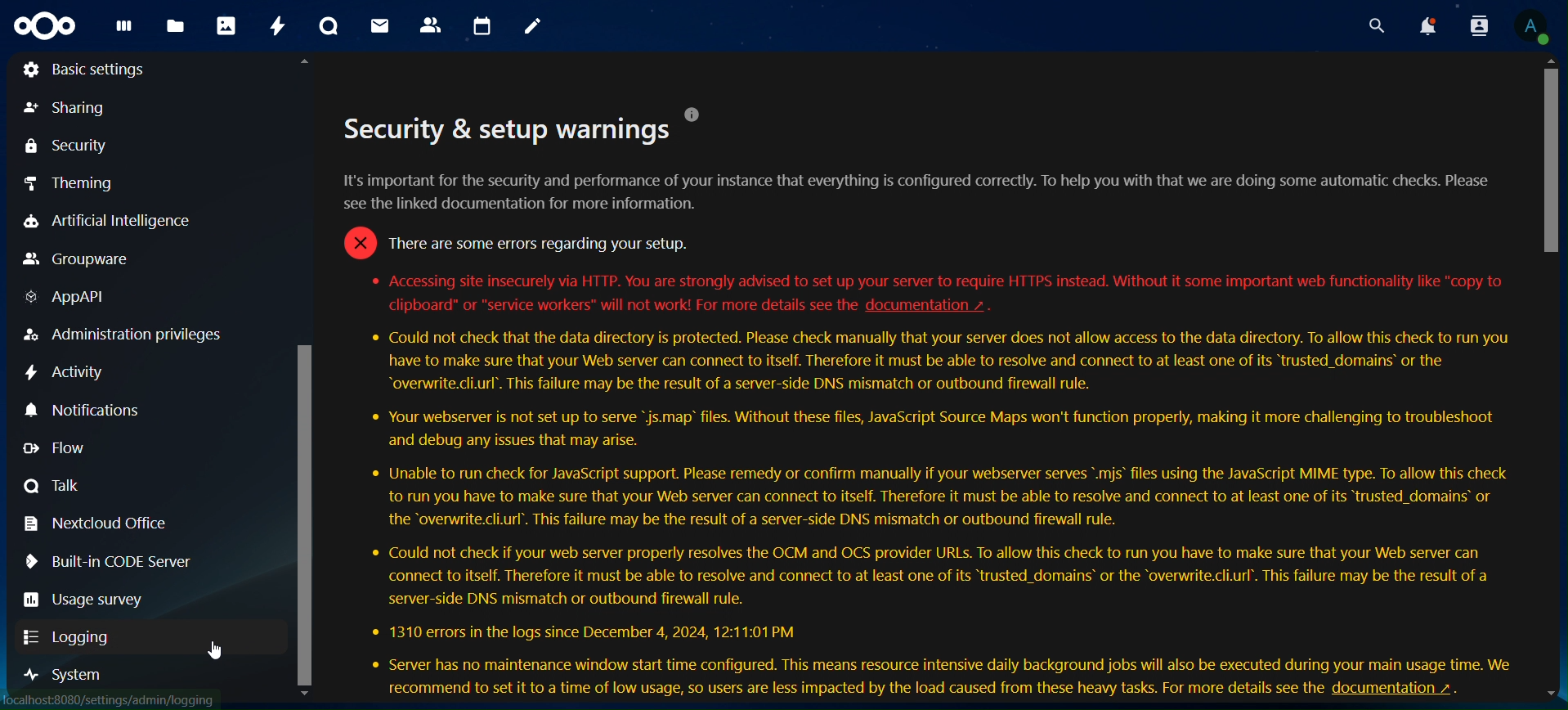 This screenshot has height=710, width=1568. Describe the element at coordinates (131, 336) in the screenshot. I see `administration privileges` at that location.